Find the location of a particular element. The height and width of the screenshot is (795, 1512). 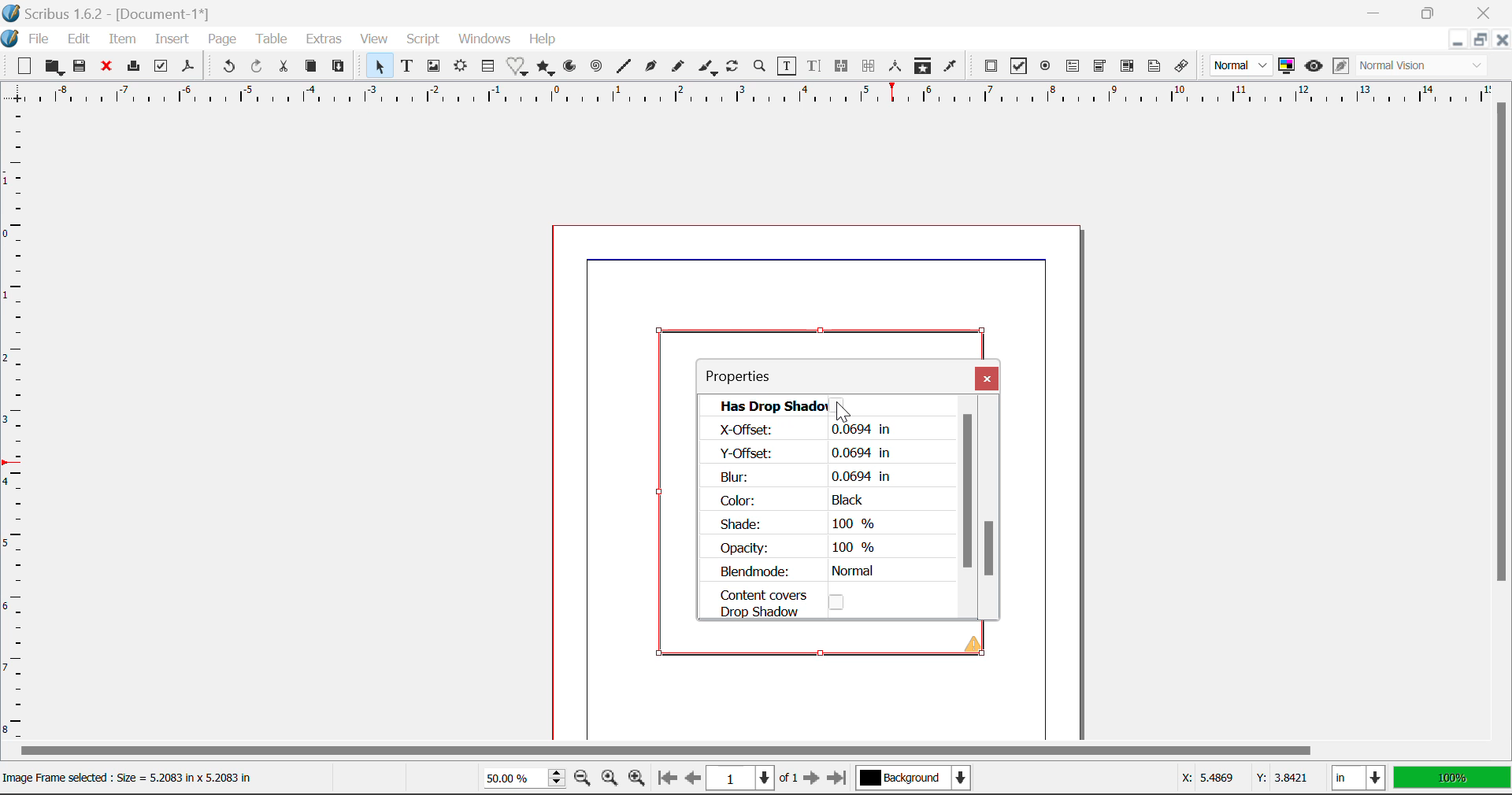

Windows is located at coordinates (485, 39).